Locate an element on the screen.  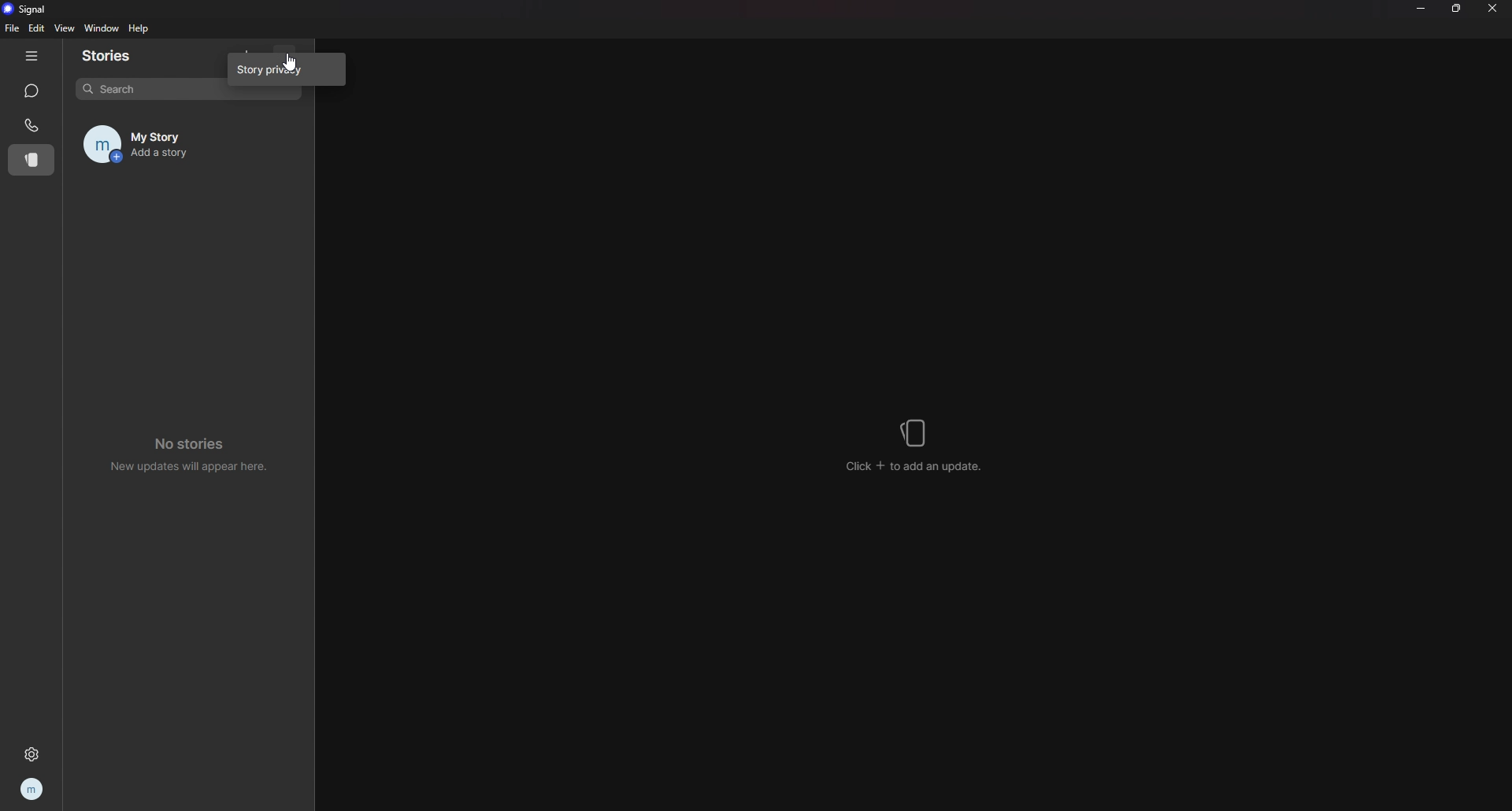
no stories new updates will appear here is located at coordinates (191, 453).